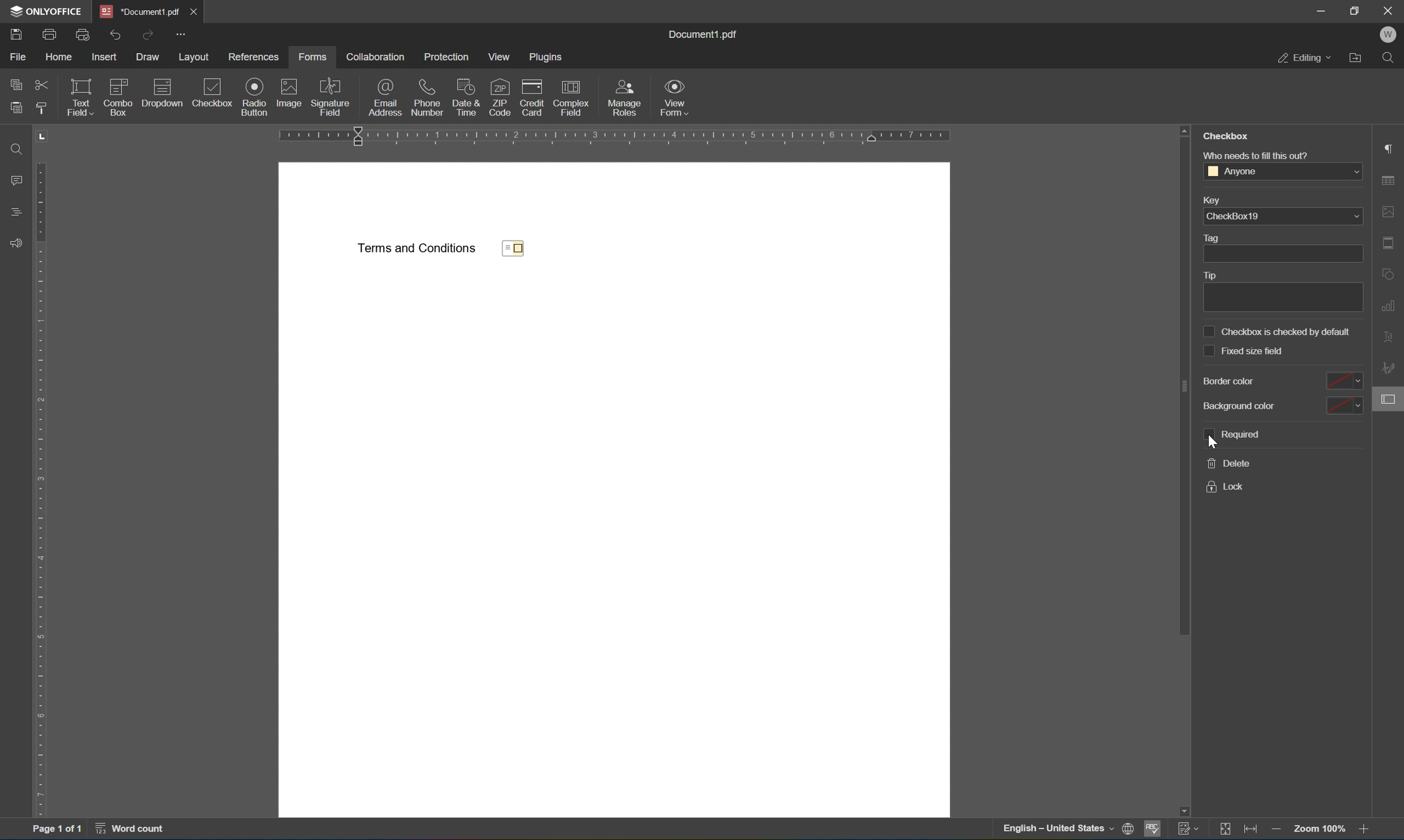 The image size is (1404, 840). I want to click on phone number, so click(427, 97).